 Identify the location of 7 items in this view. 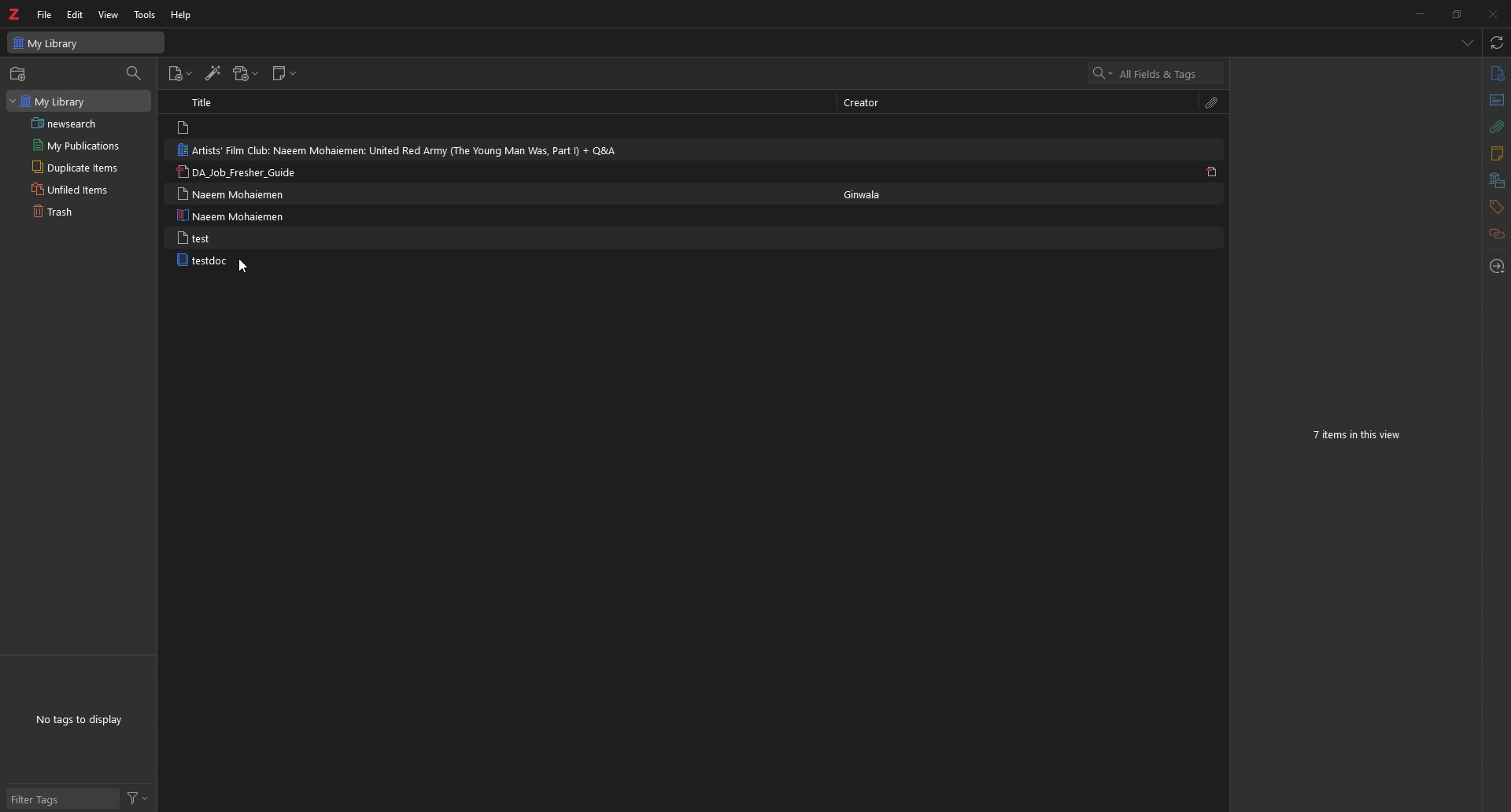
(1346, 434).